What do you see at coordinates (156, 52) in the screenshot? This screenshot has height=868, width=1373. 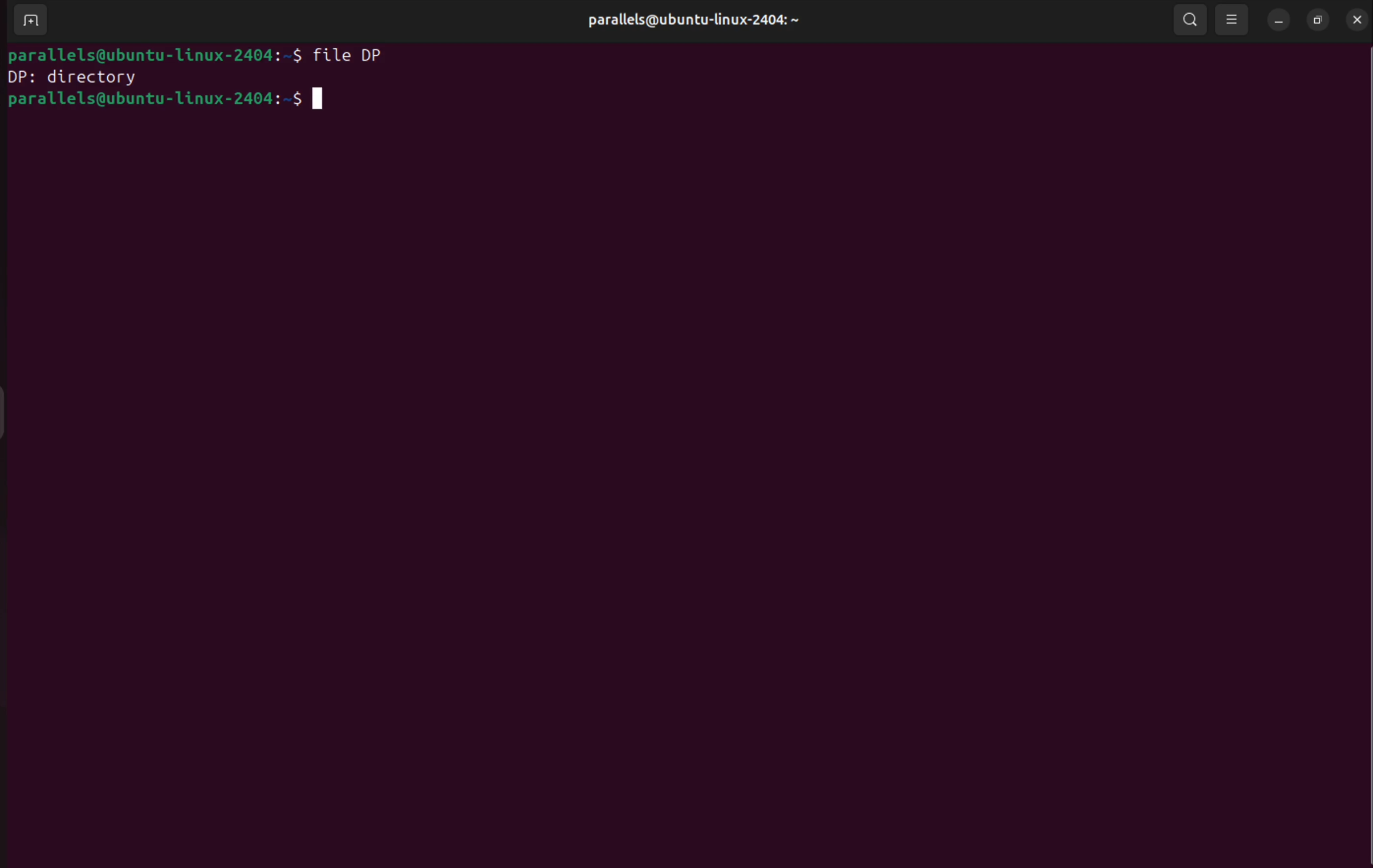 I see `bash prompt` at bounding box center [156, 52].